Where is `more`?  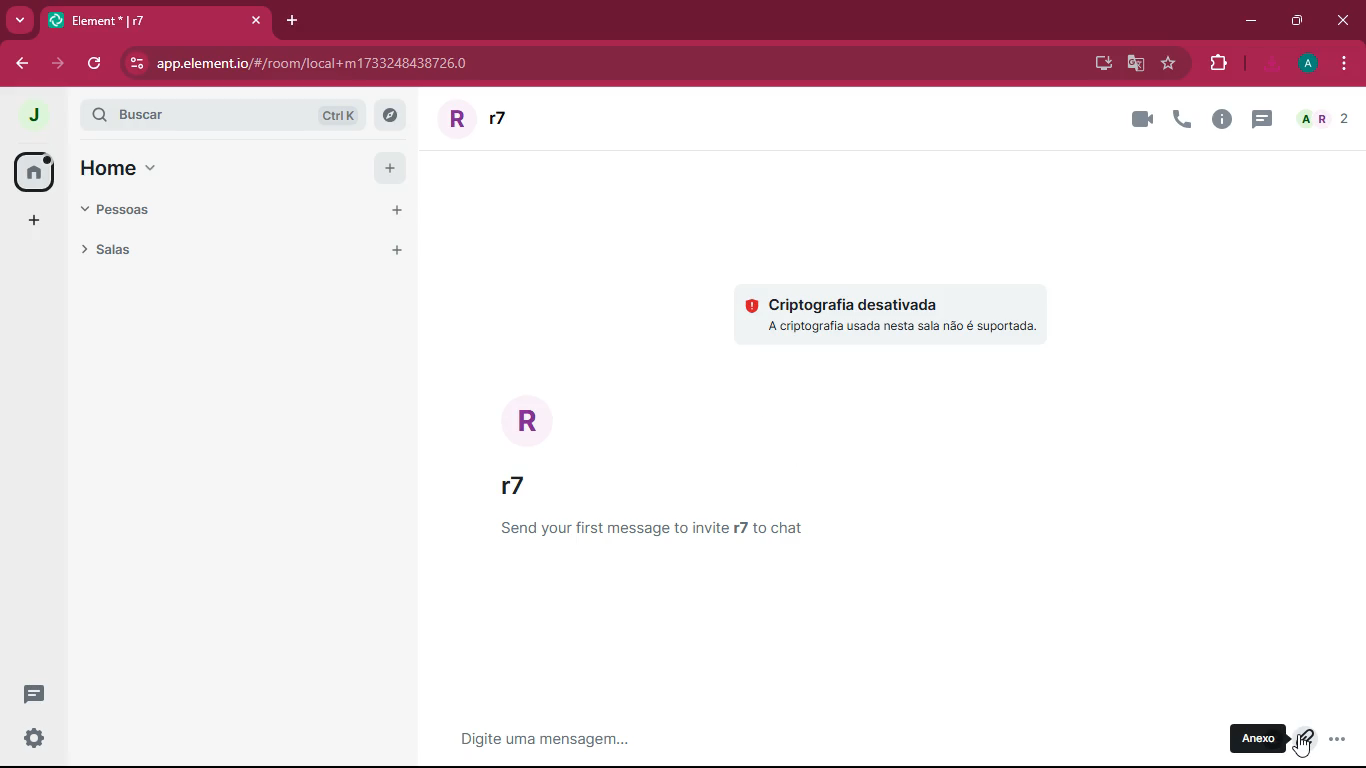 more is located at coordinates (1339, 740).